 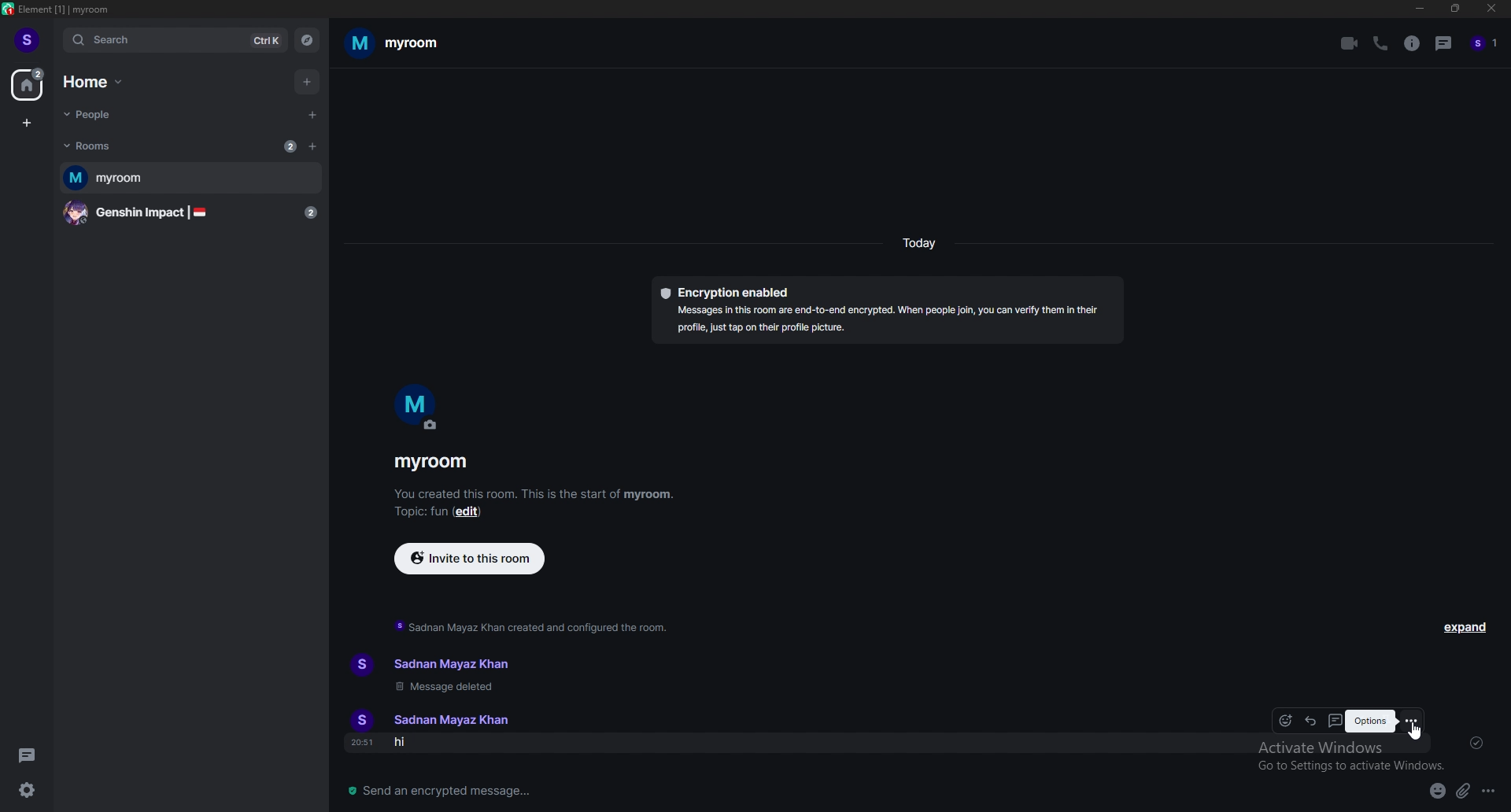 What do you see at coordinates (470, 792) in the screenshot?
I see `send an encrypted message...` at bounding box center [470, 792].